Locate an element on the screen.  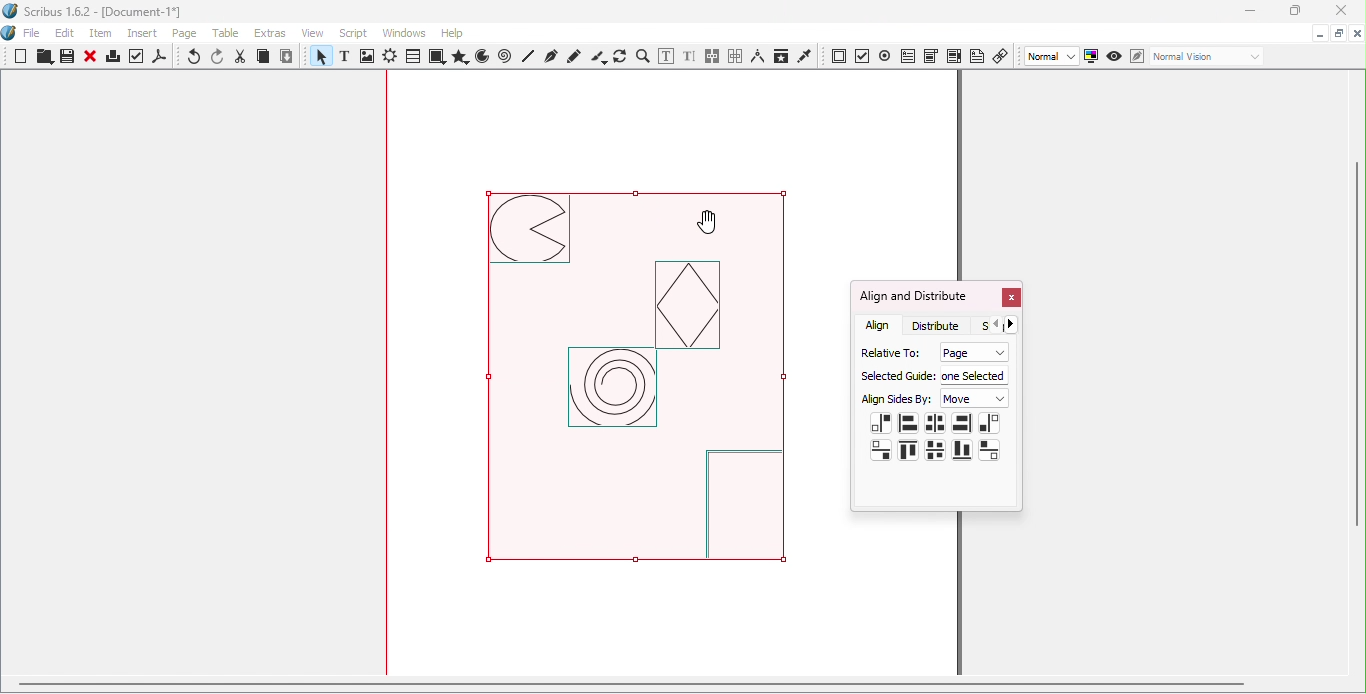
Copy item properties is located at coordinates (780, 56).